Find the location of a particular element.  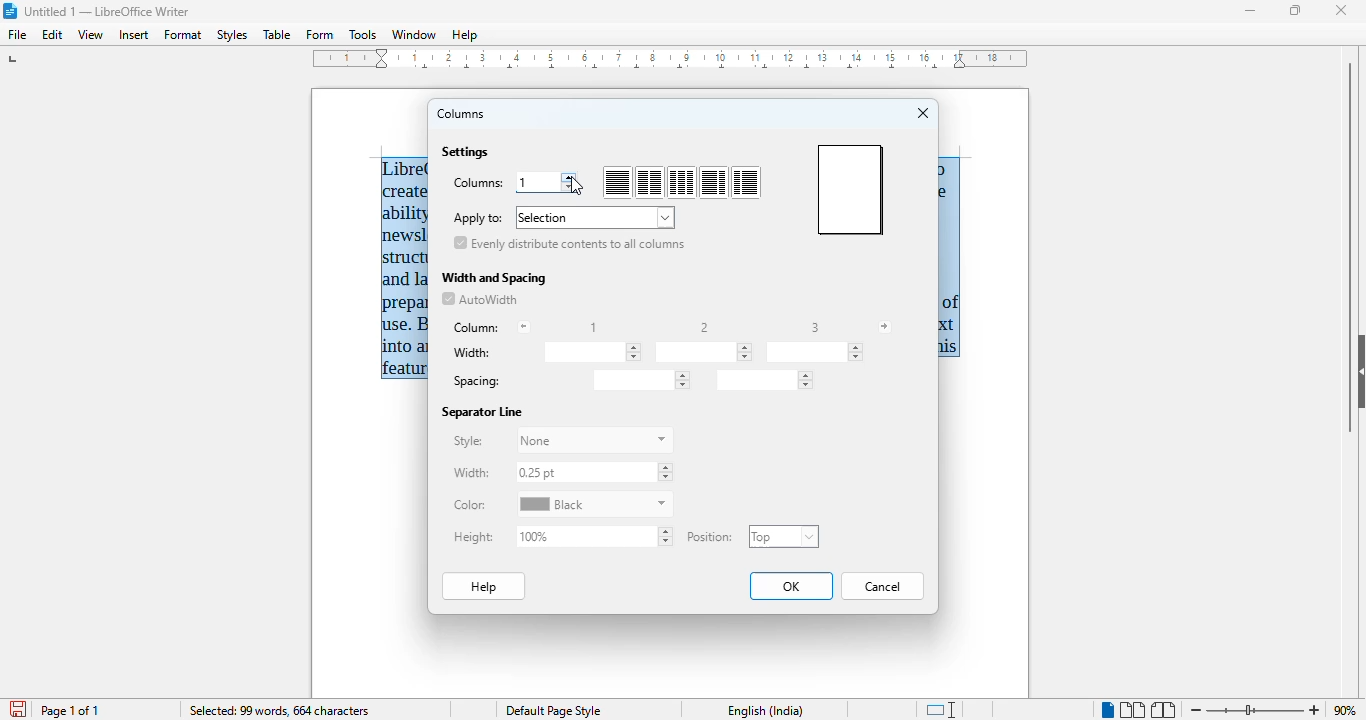

spacing is located at coordinates (476, 382).